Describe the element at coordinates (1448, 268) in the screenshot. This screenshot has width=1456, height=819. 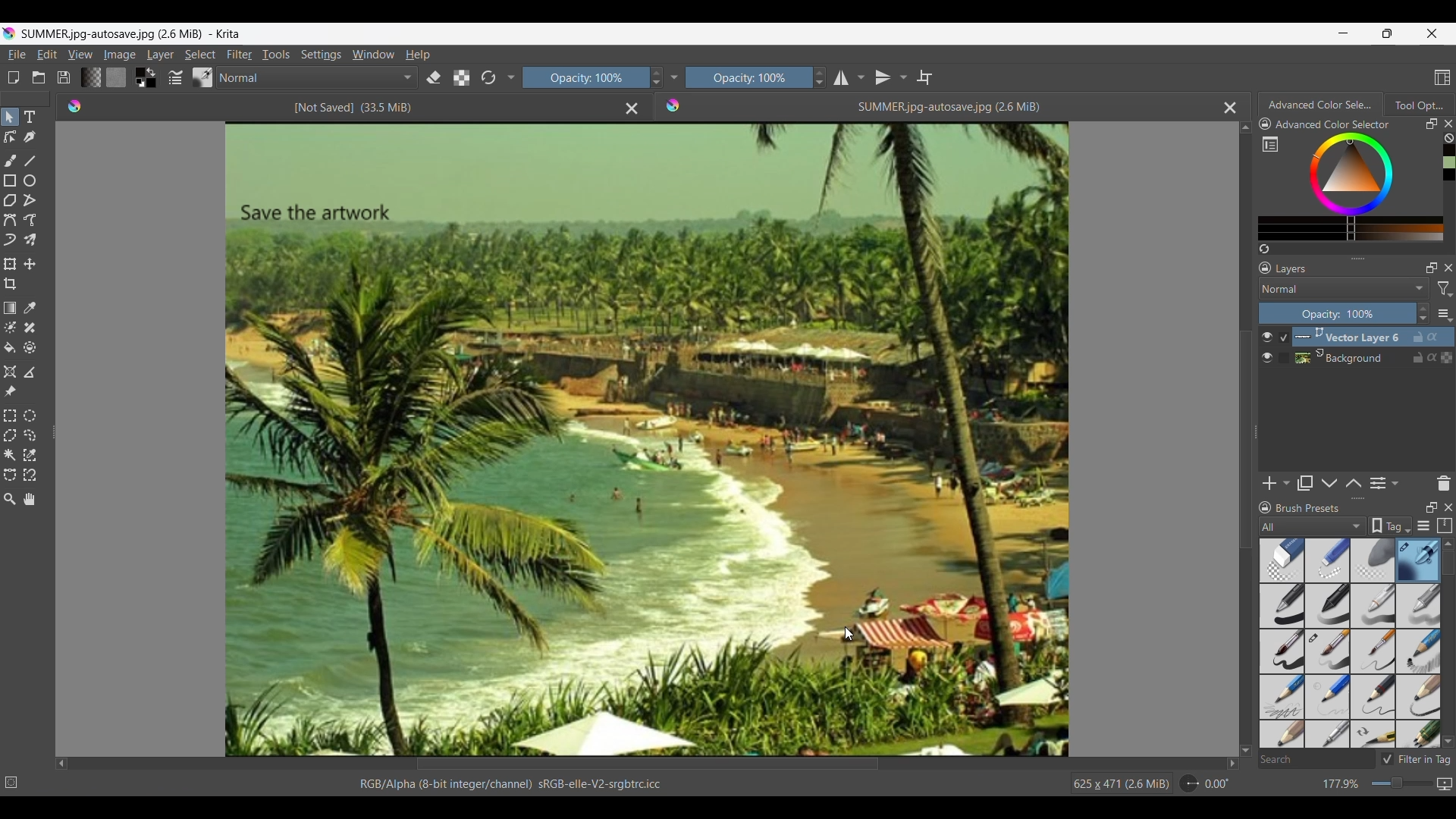
I see `Close Layers` at that location.